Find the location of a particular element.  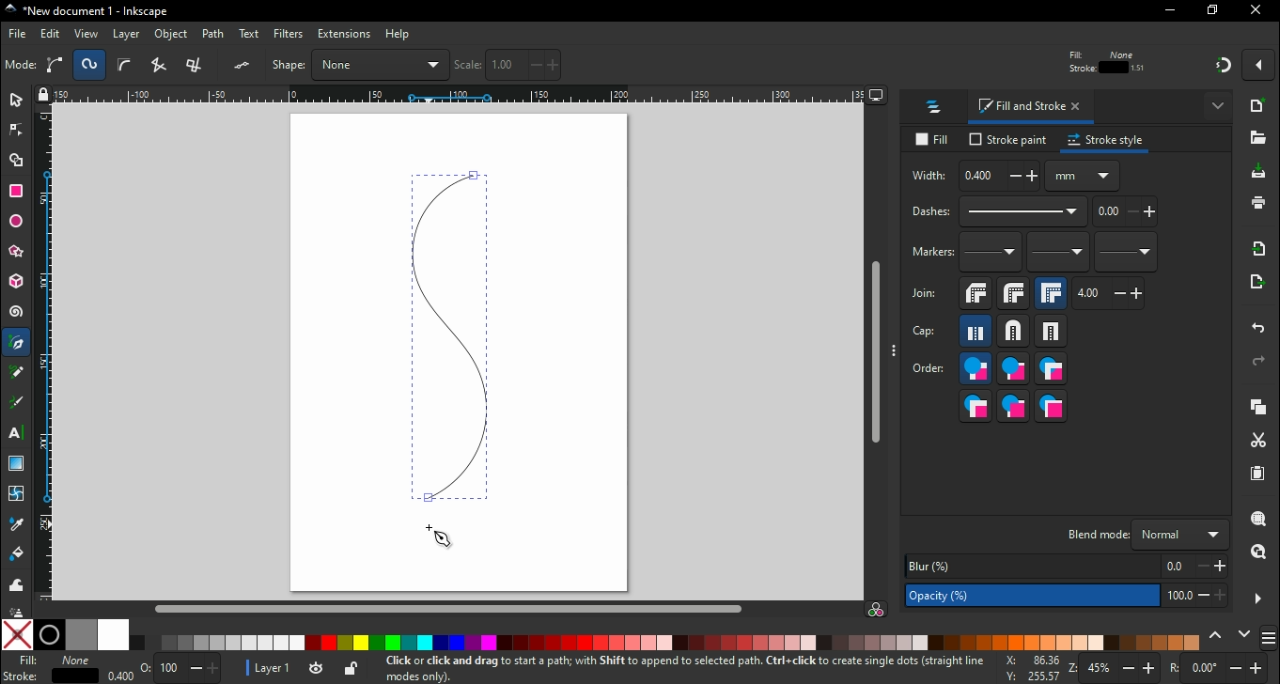

extensions is located at coordinates (343, 35).